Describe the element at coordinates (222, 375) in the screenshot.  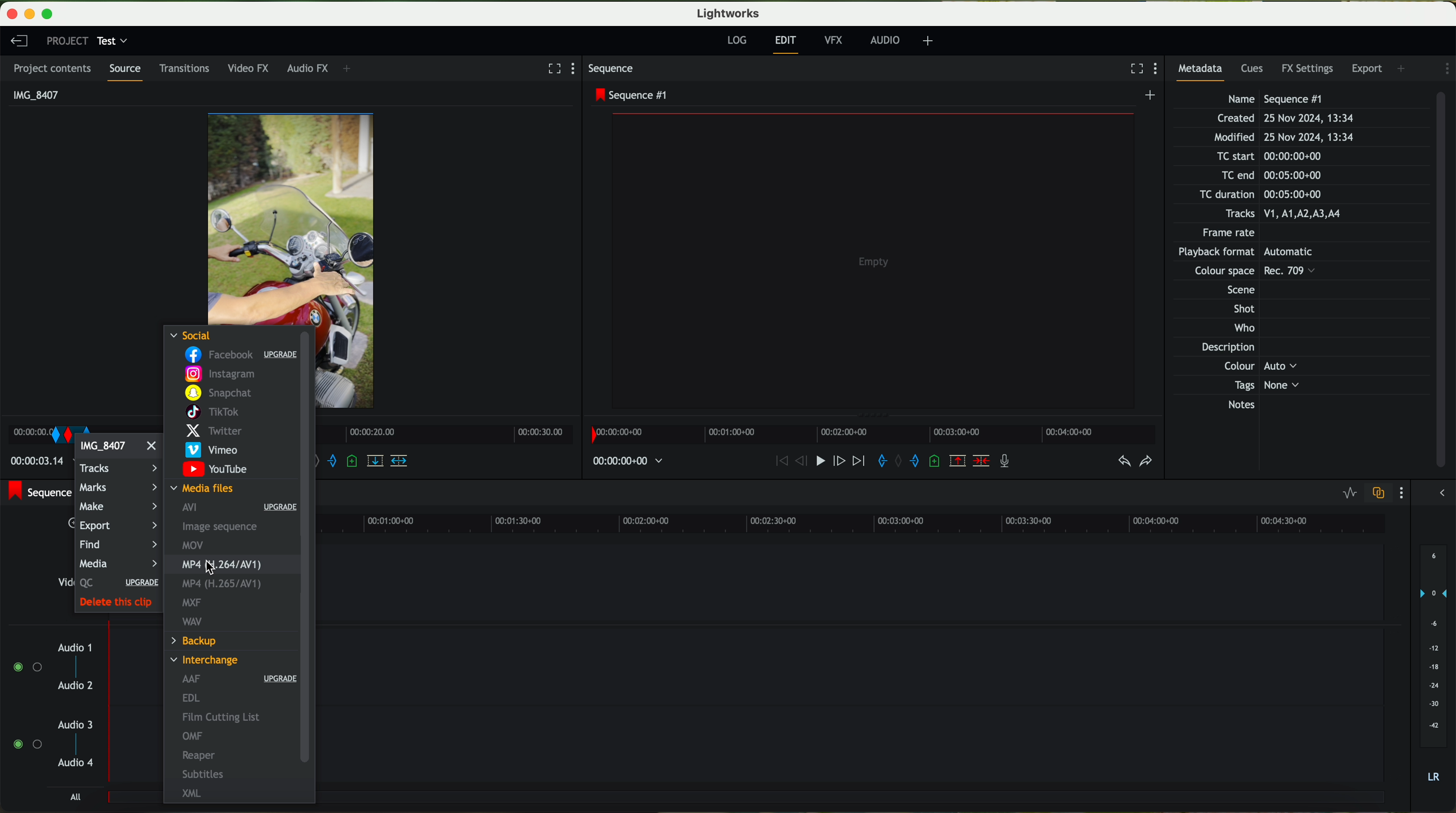
I see `Instagram` at that location.